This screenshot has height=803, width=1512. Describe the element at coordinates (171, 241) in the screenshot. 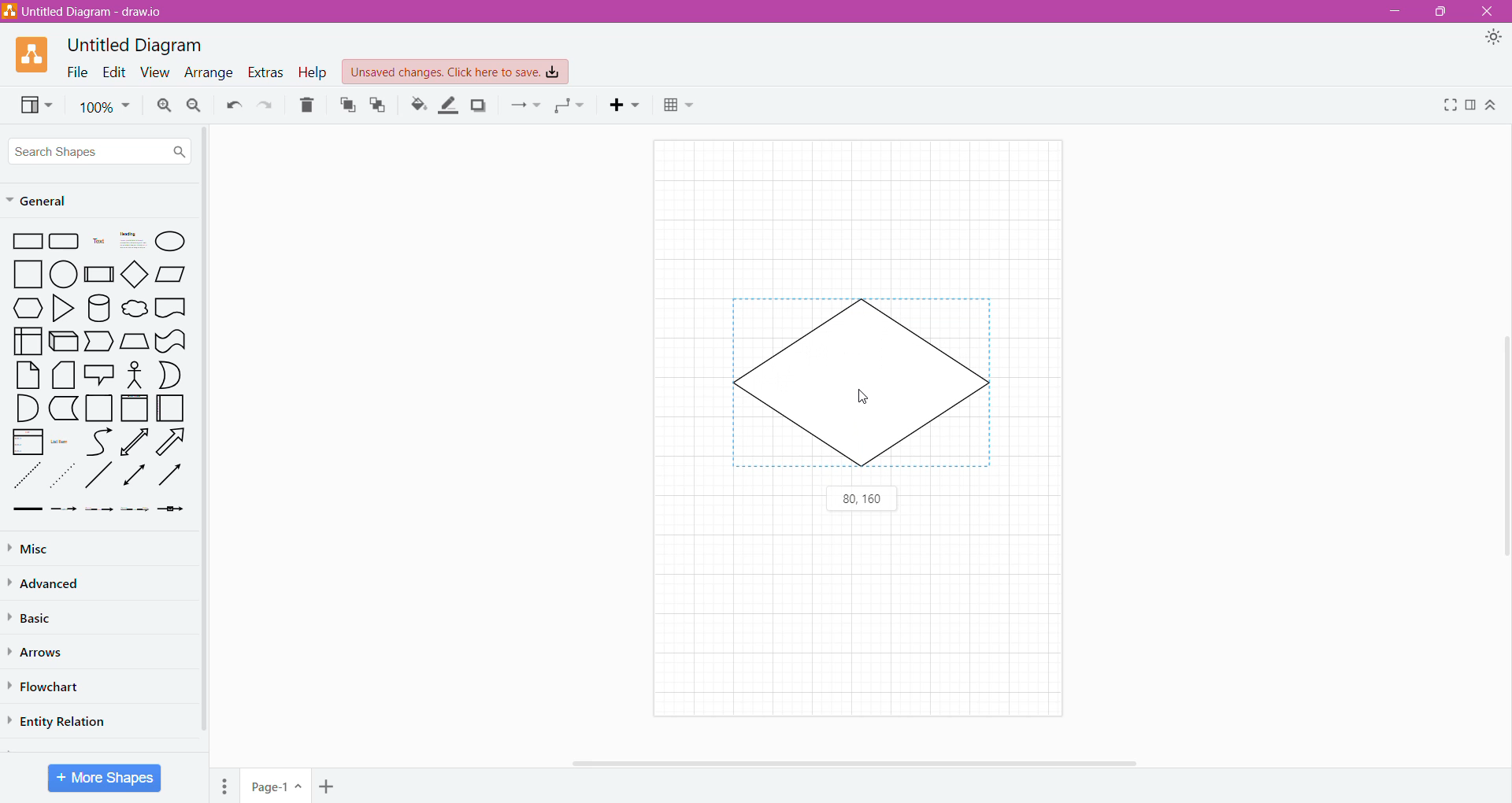

I see `Ellipse` at that location.